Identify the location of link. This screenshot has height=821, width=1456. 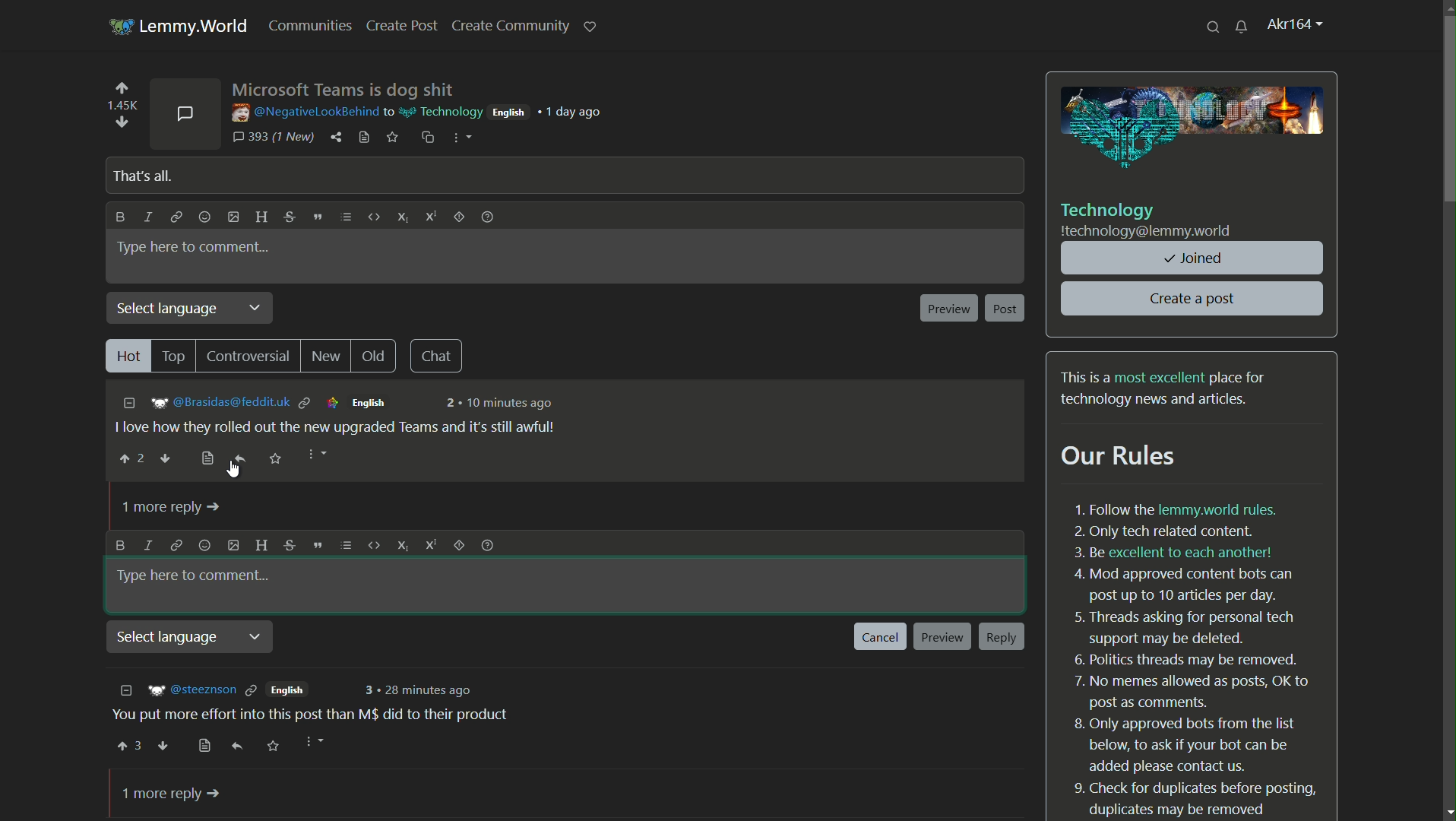
(176, 219).